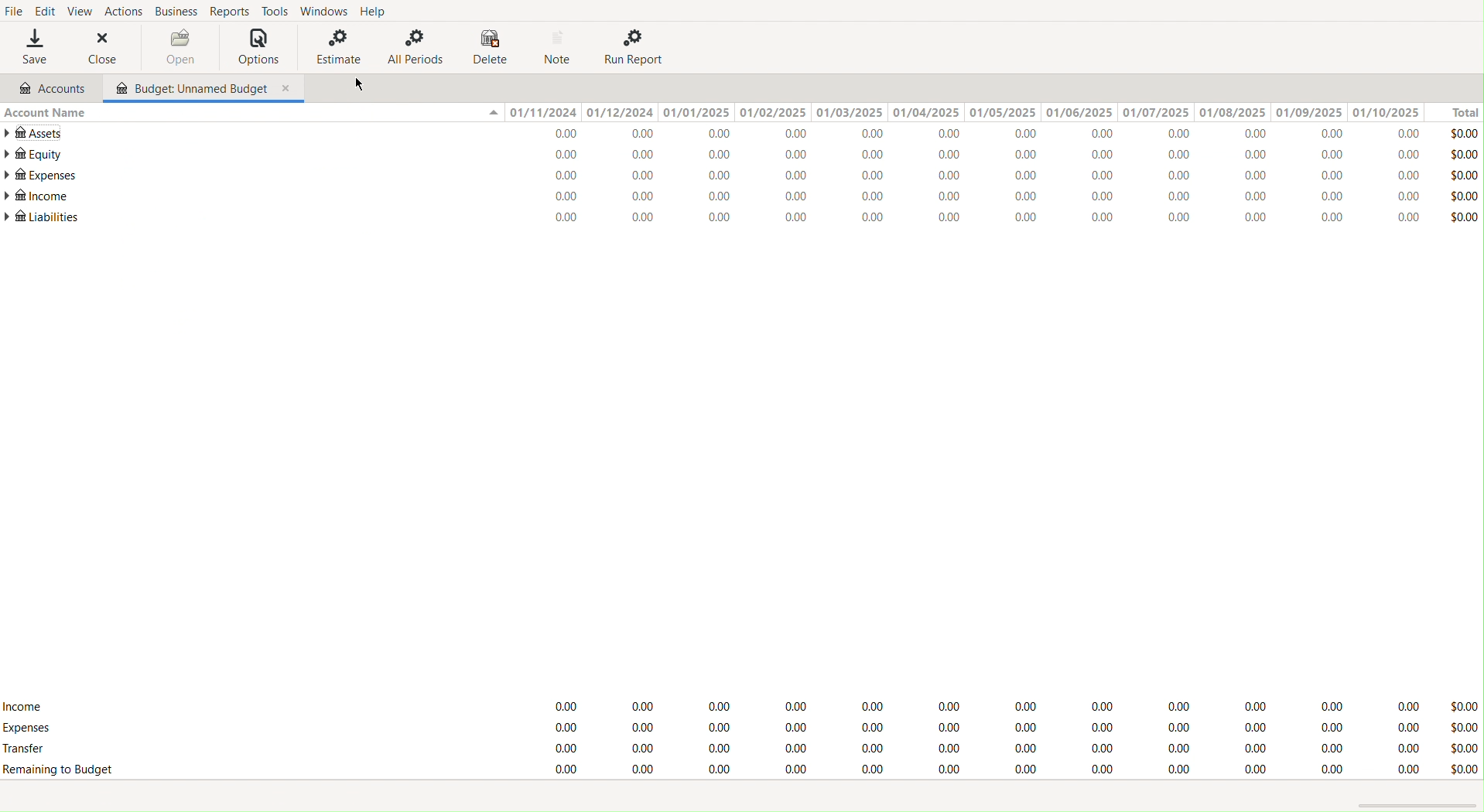  What do you see at coordinates (205, 90) in the screenshot?
I see `Budget: Unnamed Budget` at bounding box center [205, 90].